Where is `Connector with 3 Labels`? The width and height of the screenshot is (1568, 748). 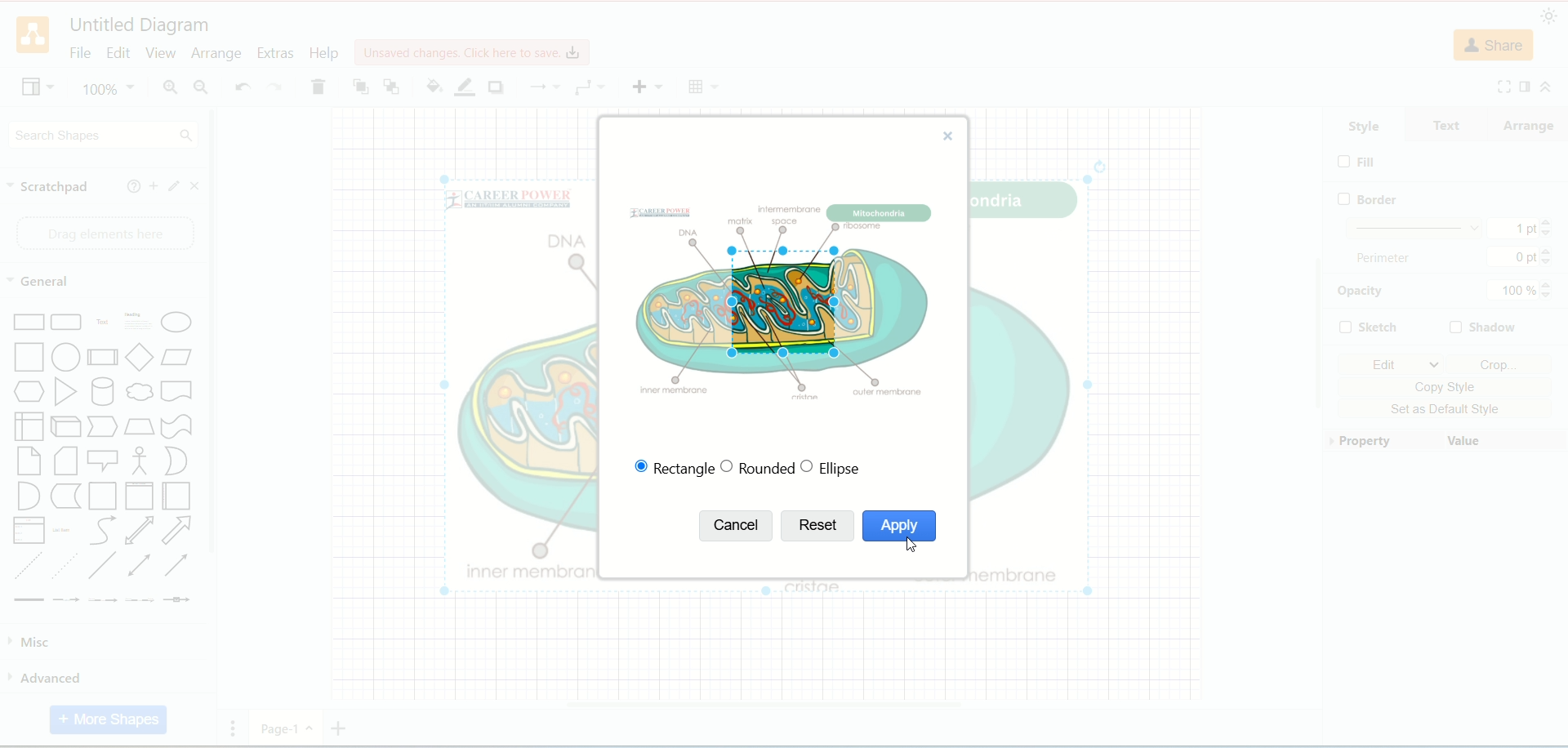
Connector with 3 Labels is located at coordinates (141, 601).